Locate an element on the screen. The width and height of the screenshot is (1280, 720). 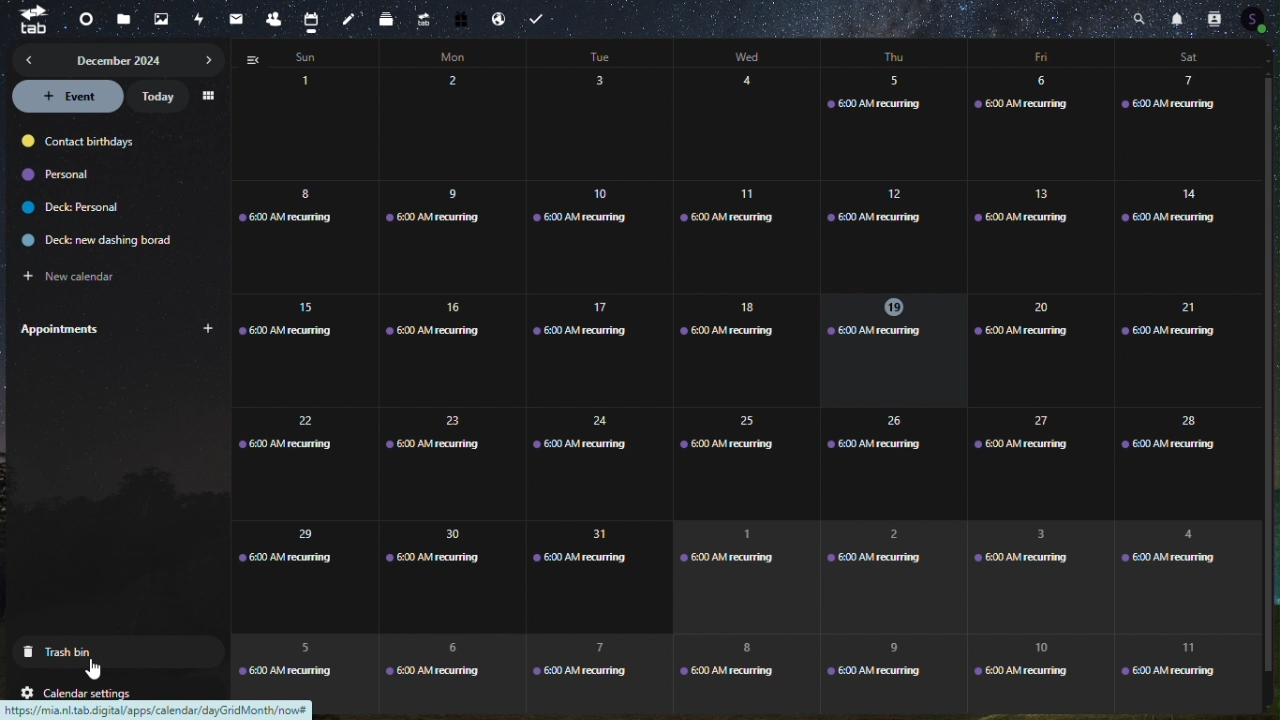
contact birthdays is located at coordinates (83, 143).